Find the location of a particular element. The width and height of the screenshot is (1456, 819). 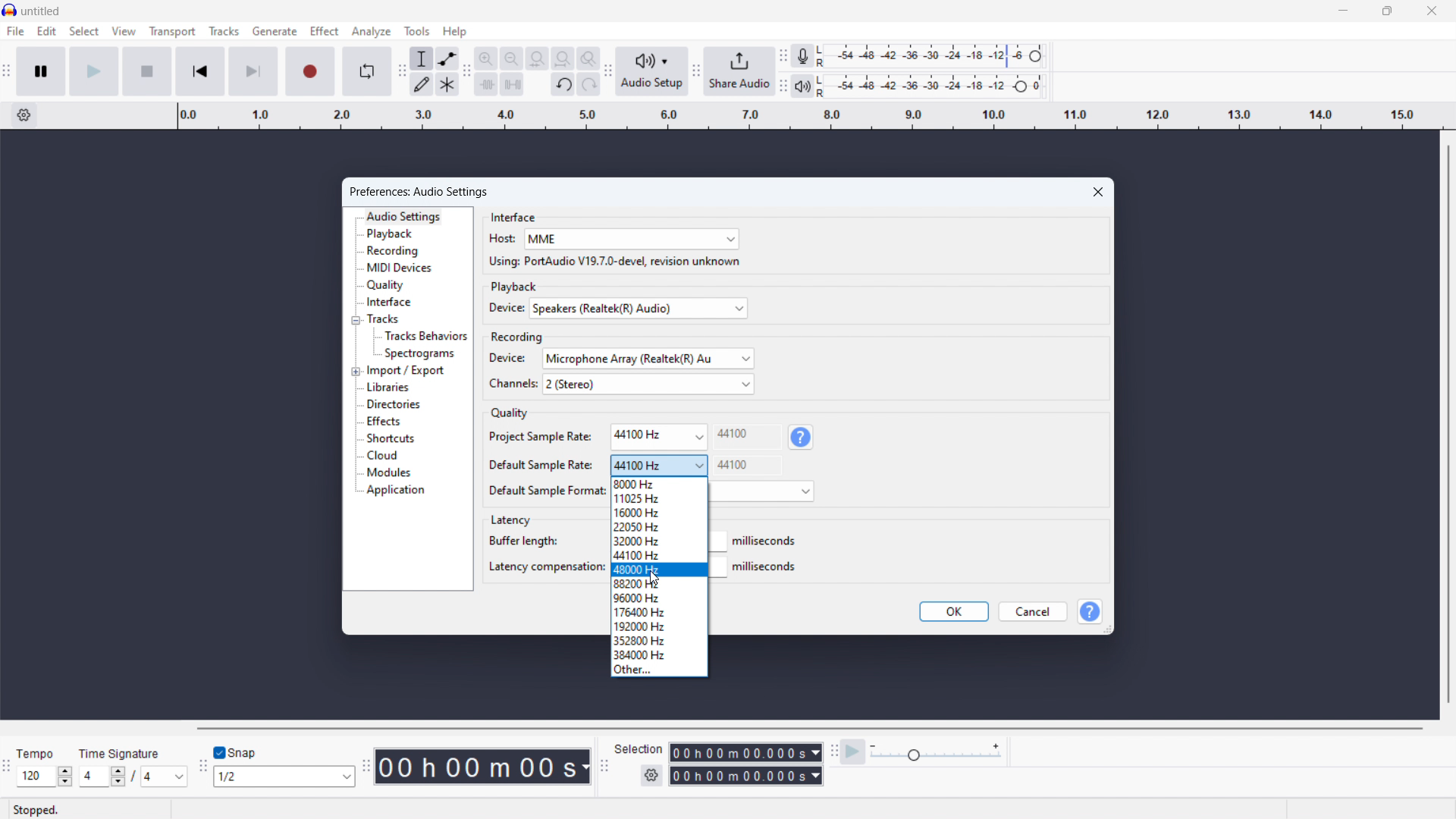

close is located at coordinates (1100, 191).